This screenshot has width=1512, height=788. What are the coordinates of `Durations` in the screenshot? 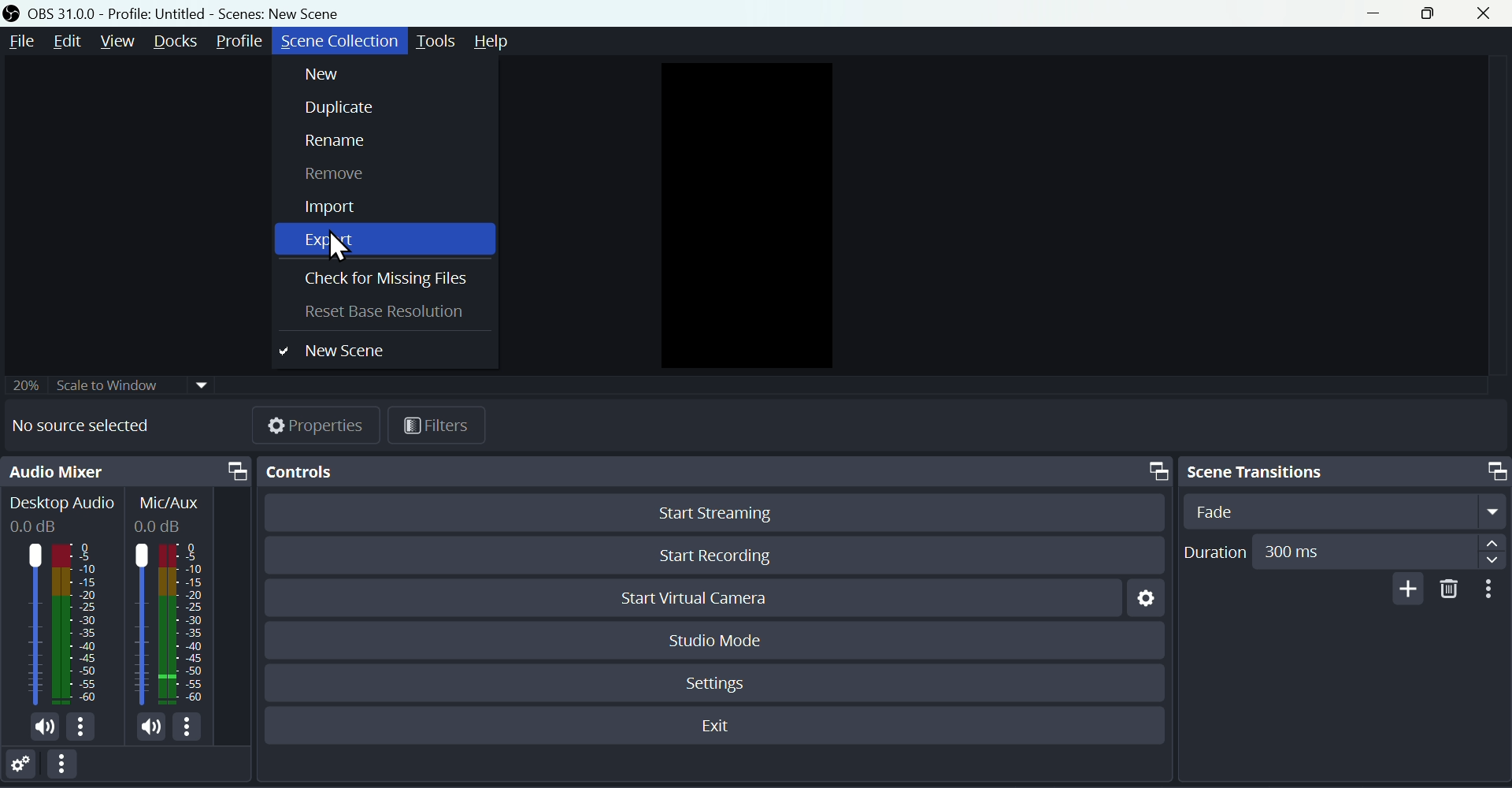 It's located at (1343, 551).